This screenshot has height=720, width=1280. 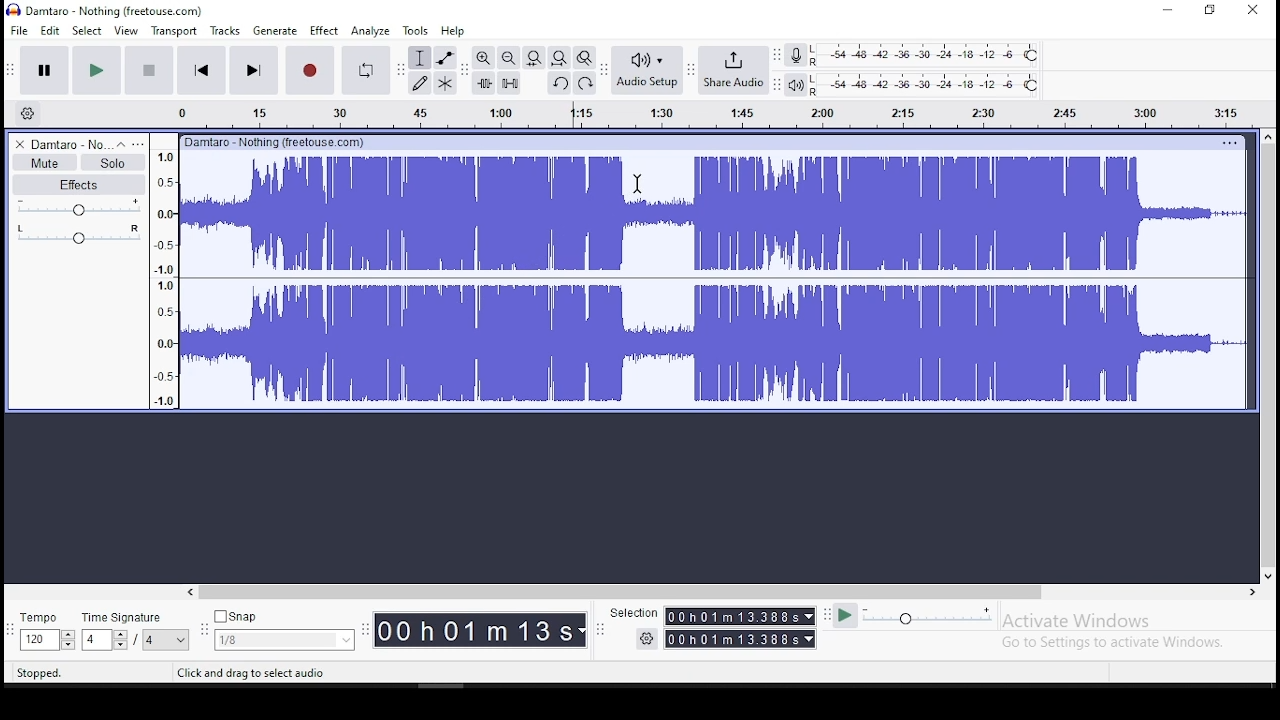 I want to click on icon and file name, so click(x=111, y=9).